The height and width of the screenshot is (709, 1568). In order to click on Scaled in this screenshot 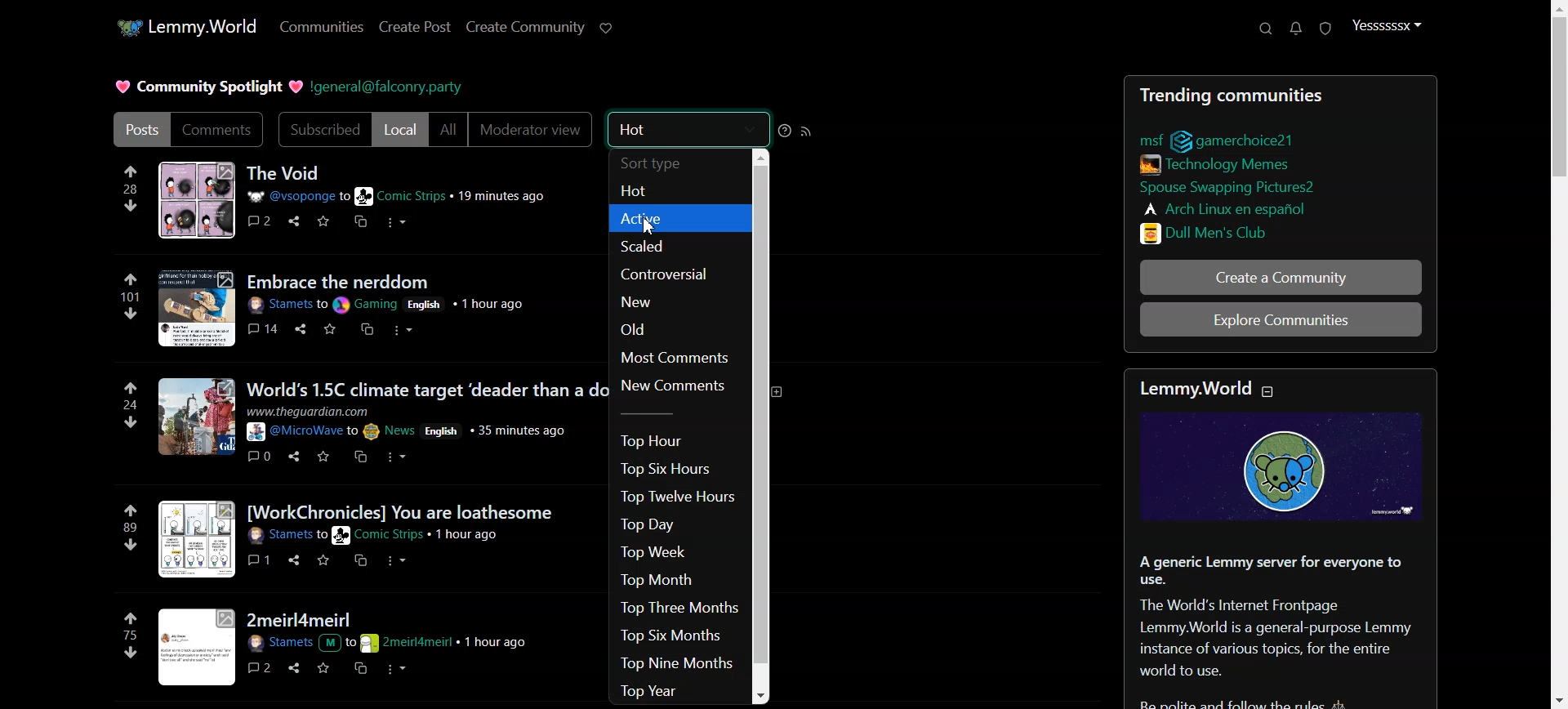, I will do `click(677, 246)`.